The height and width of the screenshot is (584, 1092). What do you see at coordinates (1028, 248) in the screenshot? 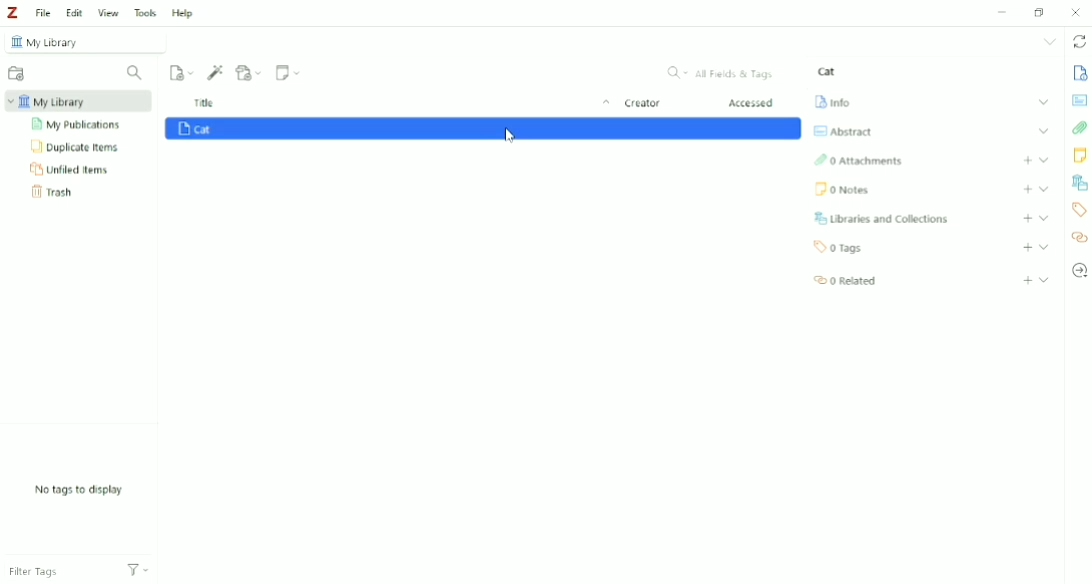
I see `Add` at bounding box center [1028, 248].